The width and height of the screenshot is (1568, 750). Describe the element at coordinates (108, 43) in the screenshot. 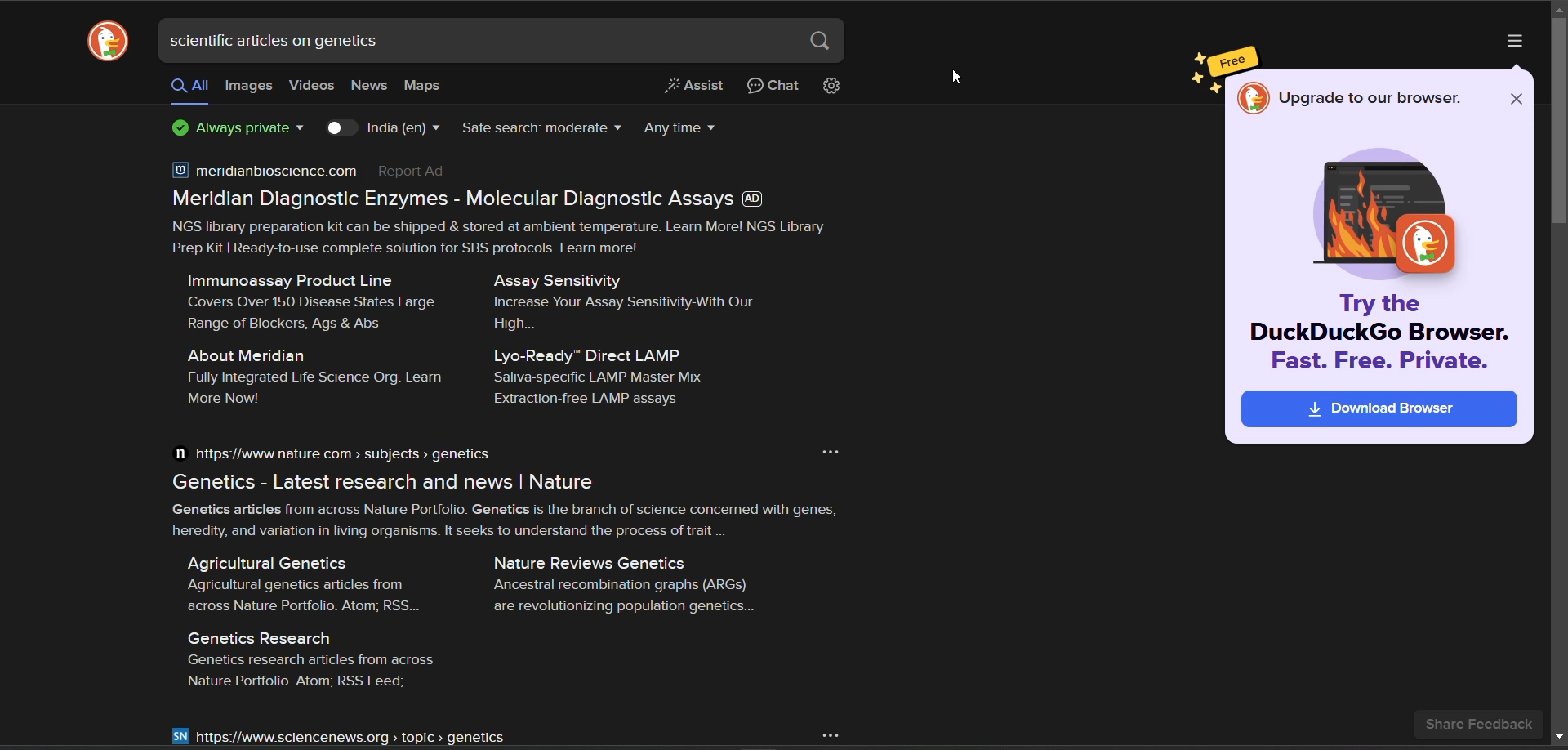

I see `logo` at that location.